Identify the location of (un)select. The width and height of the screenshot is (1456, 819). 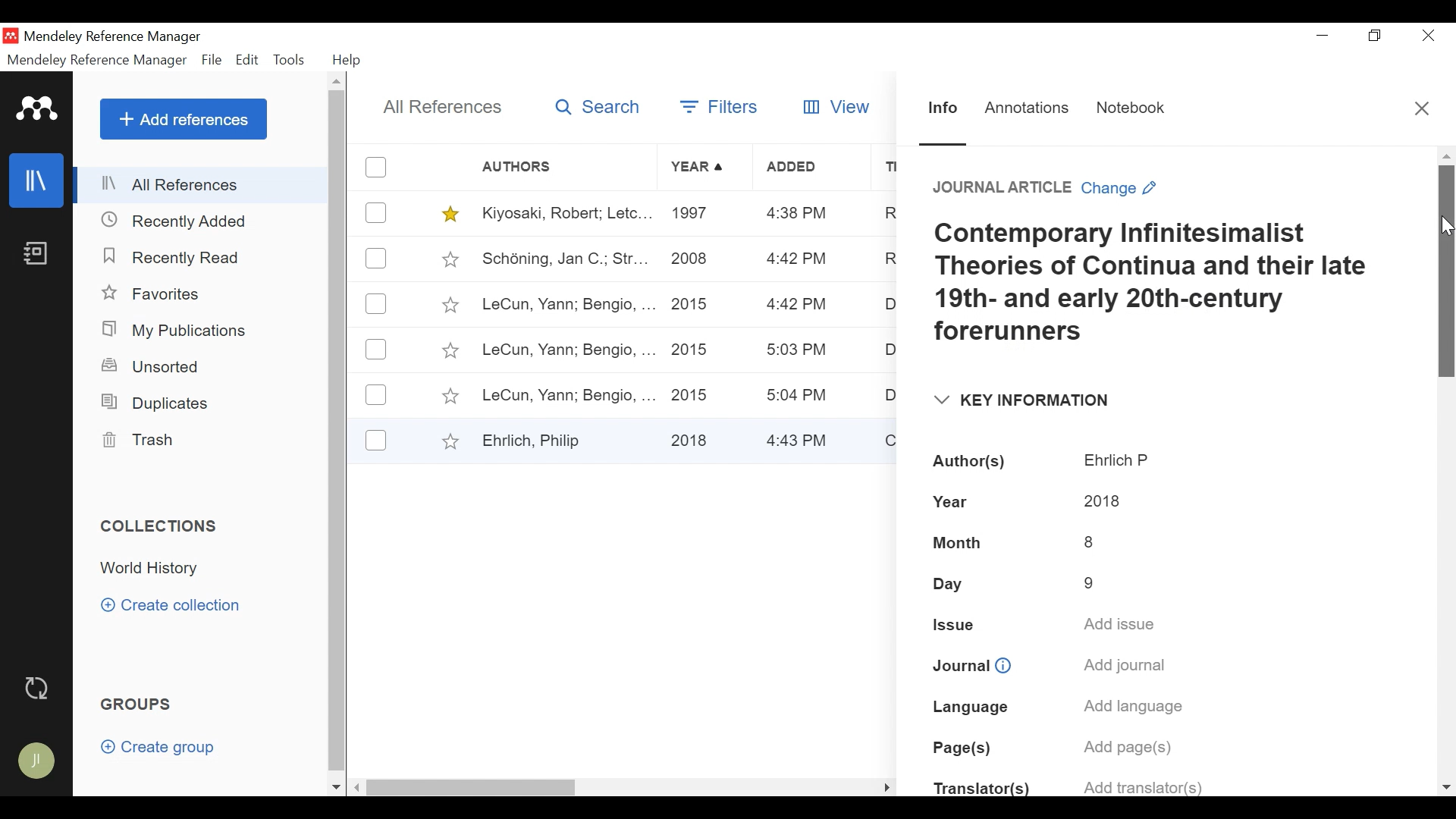
(376, 395).